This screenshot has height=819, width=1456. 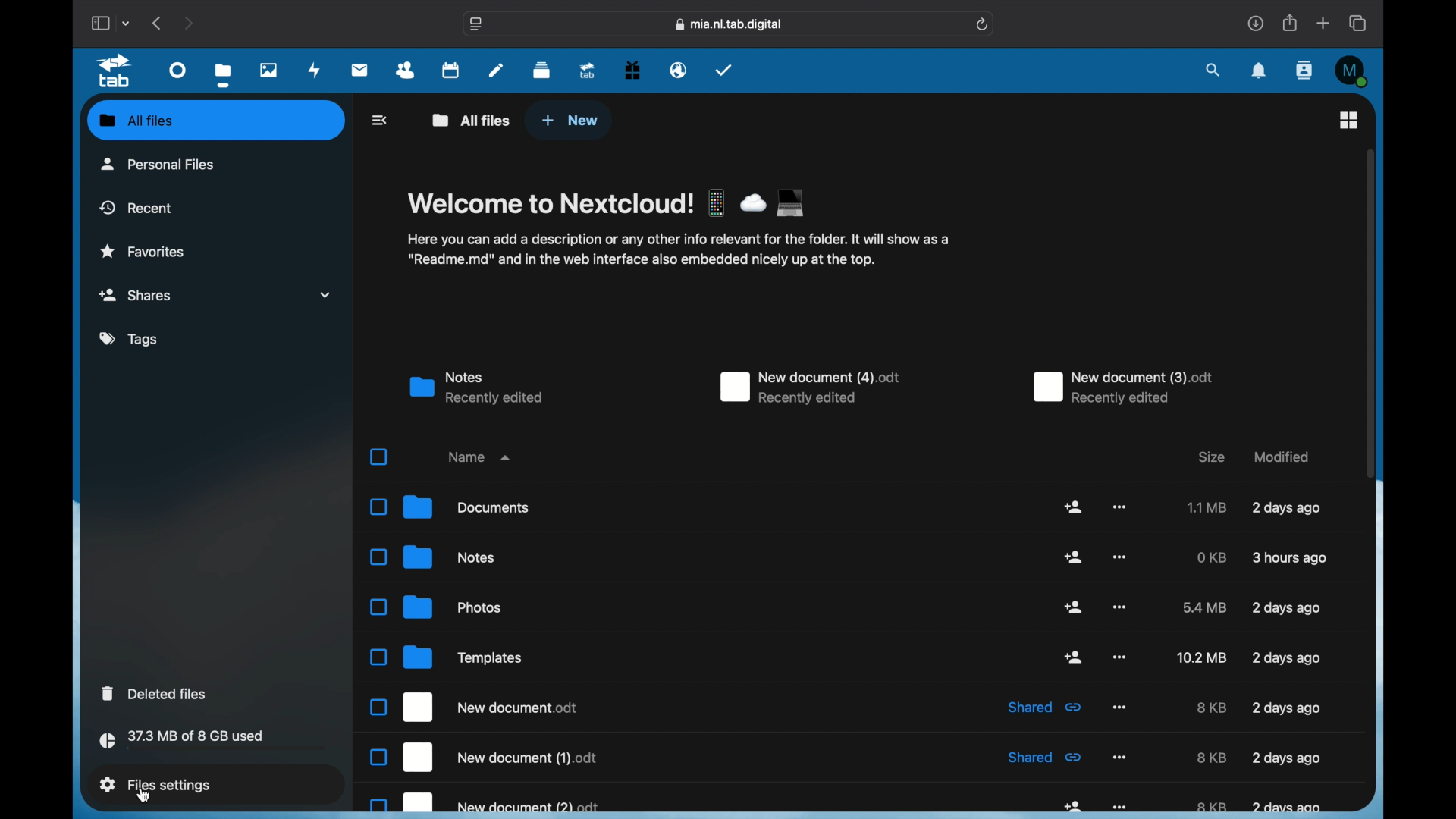 What do you see at coordinates (432, 557) in the screenshot?
I see `notes` at bounding box center [432, 557].